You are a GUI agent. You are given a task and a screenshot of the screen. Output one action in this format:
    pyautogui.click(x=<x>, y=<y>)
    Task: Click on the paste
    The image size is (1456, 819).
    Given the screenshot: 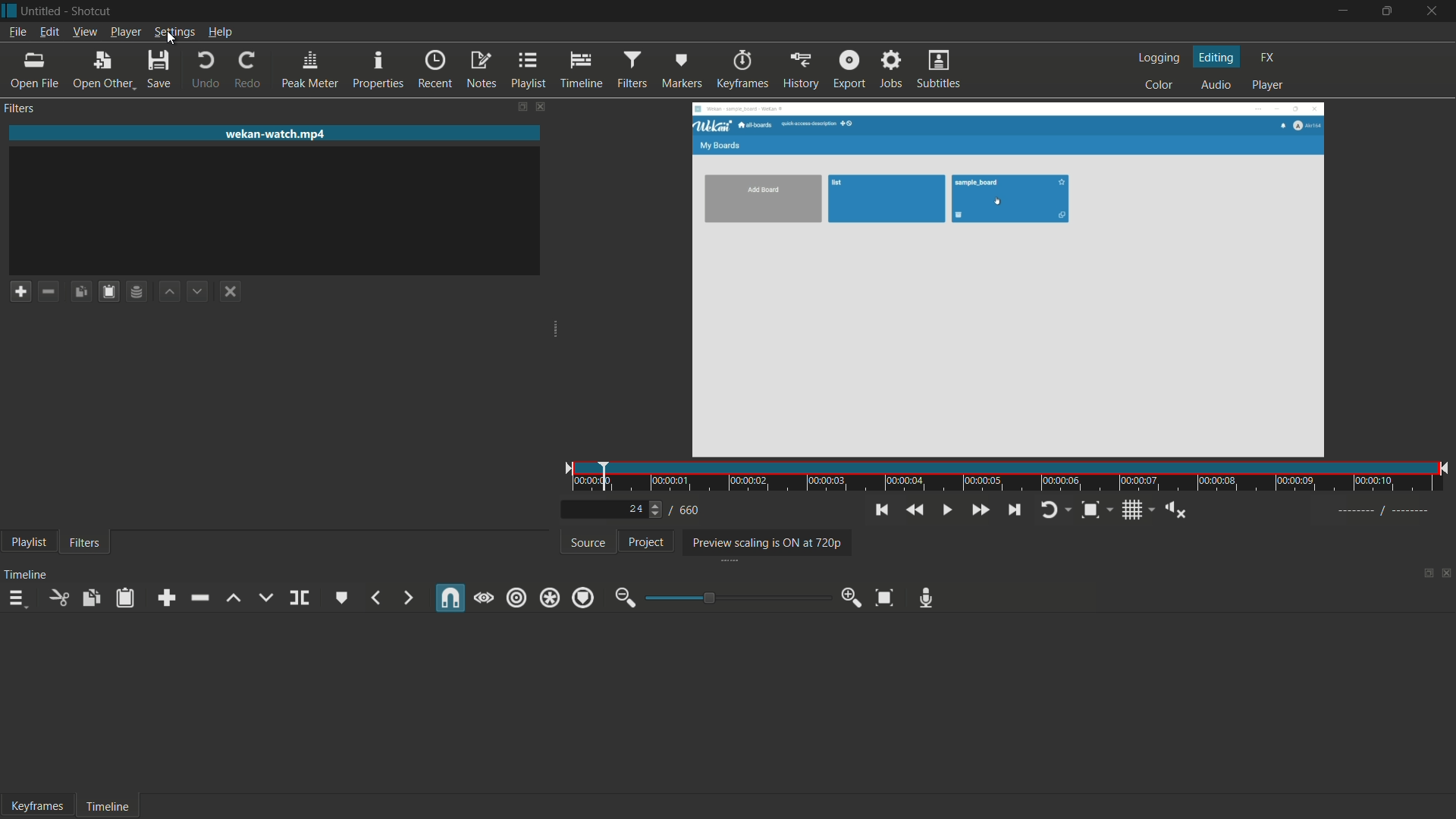 What is the action you would take?
    pyautogui.click(x=126, y=598)
    